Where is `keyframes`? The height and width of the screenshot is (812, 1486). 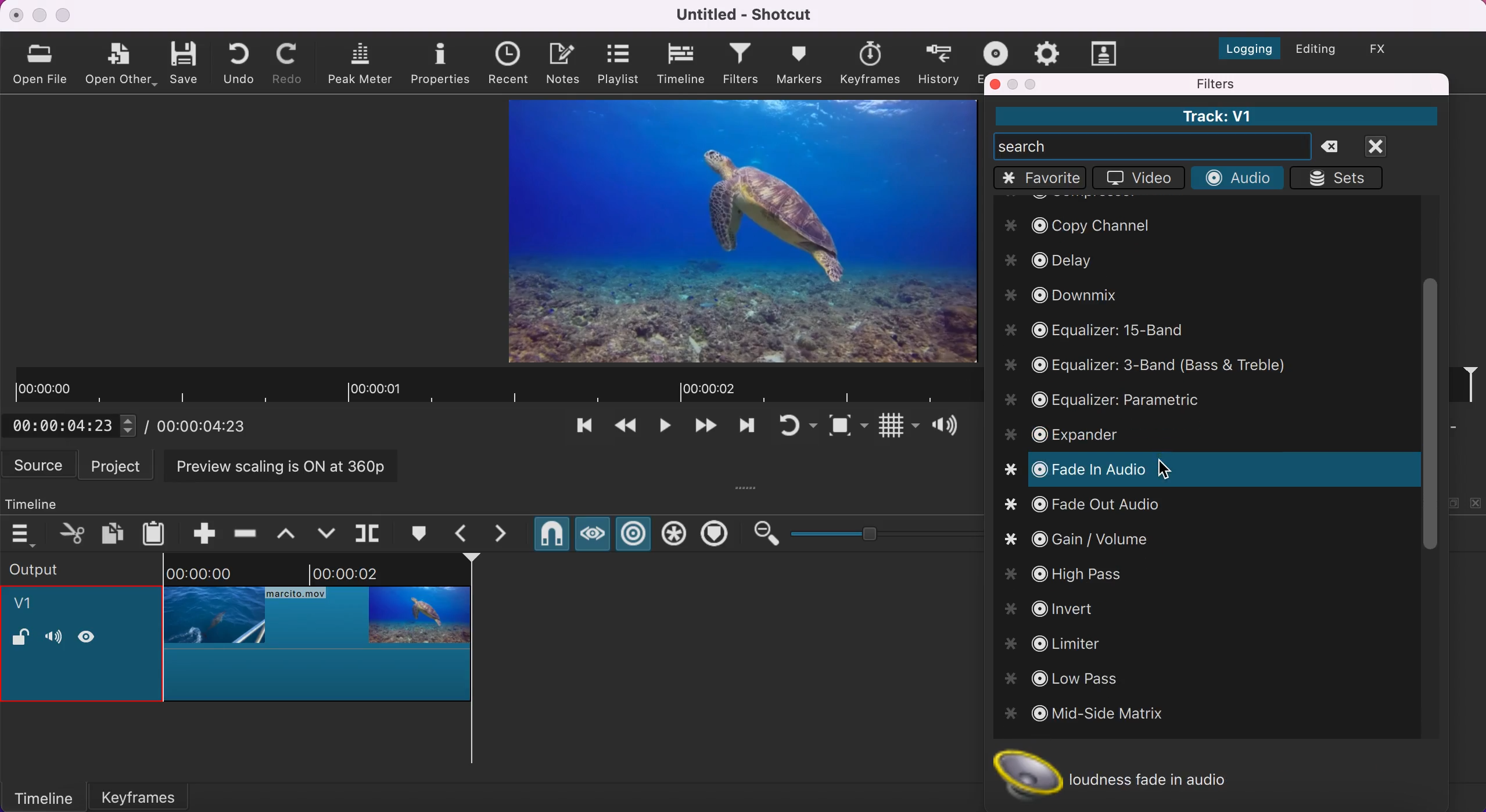
keyframes is located at coordinates (869, 63).